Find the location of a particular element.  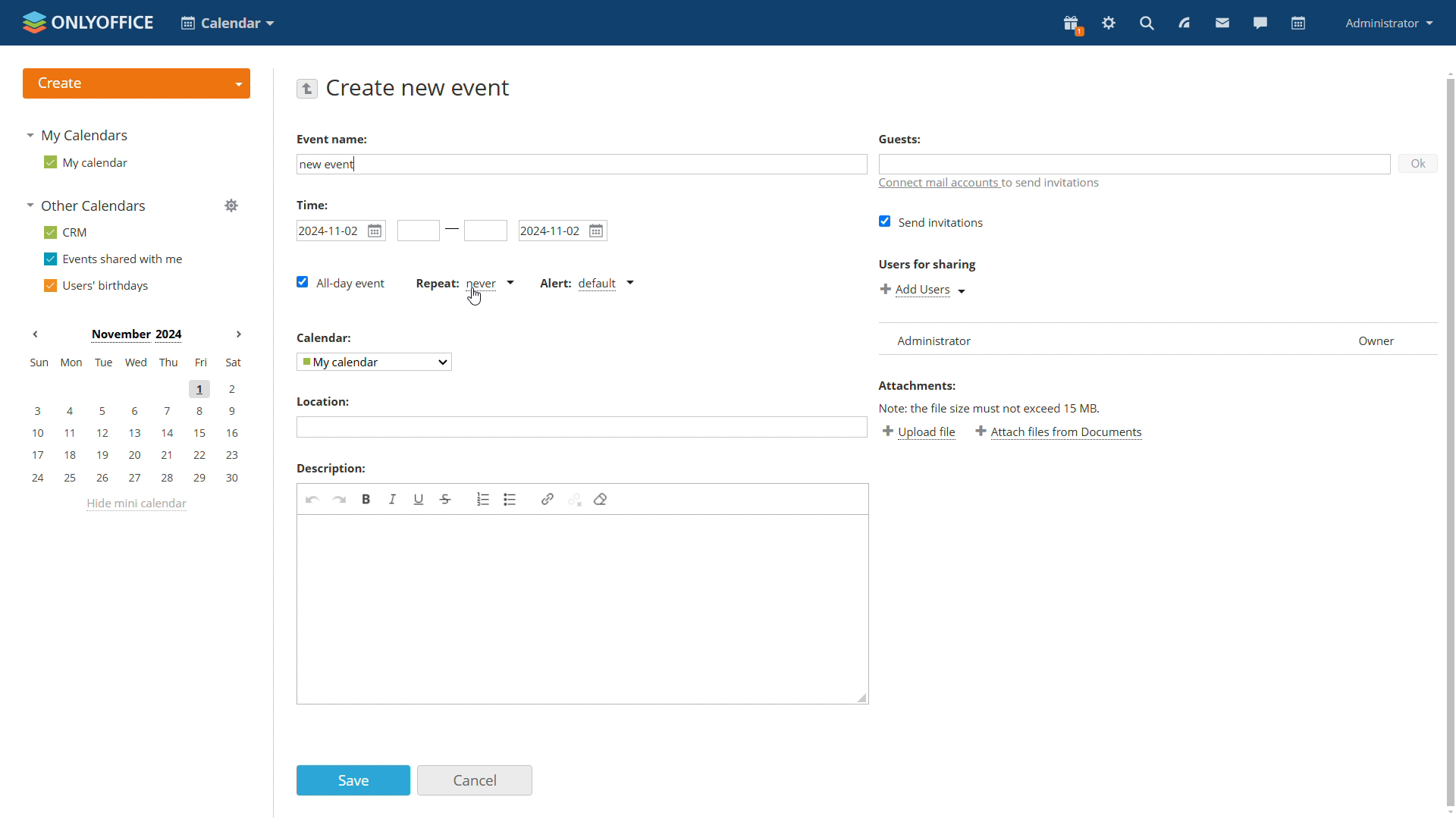

Event name is located at coordinates (331, 139).